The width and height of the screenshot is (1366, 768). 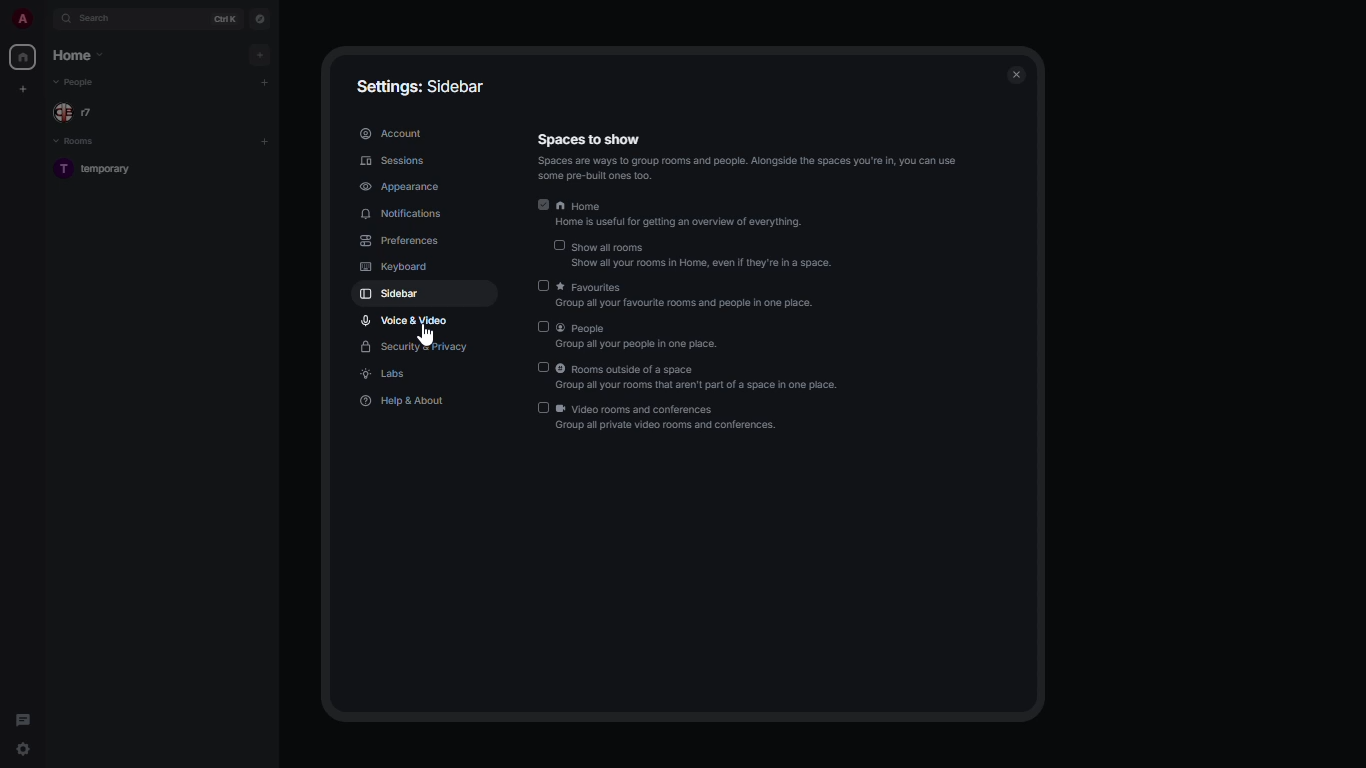 I want to click on enabled, so click(x=537, y=204).